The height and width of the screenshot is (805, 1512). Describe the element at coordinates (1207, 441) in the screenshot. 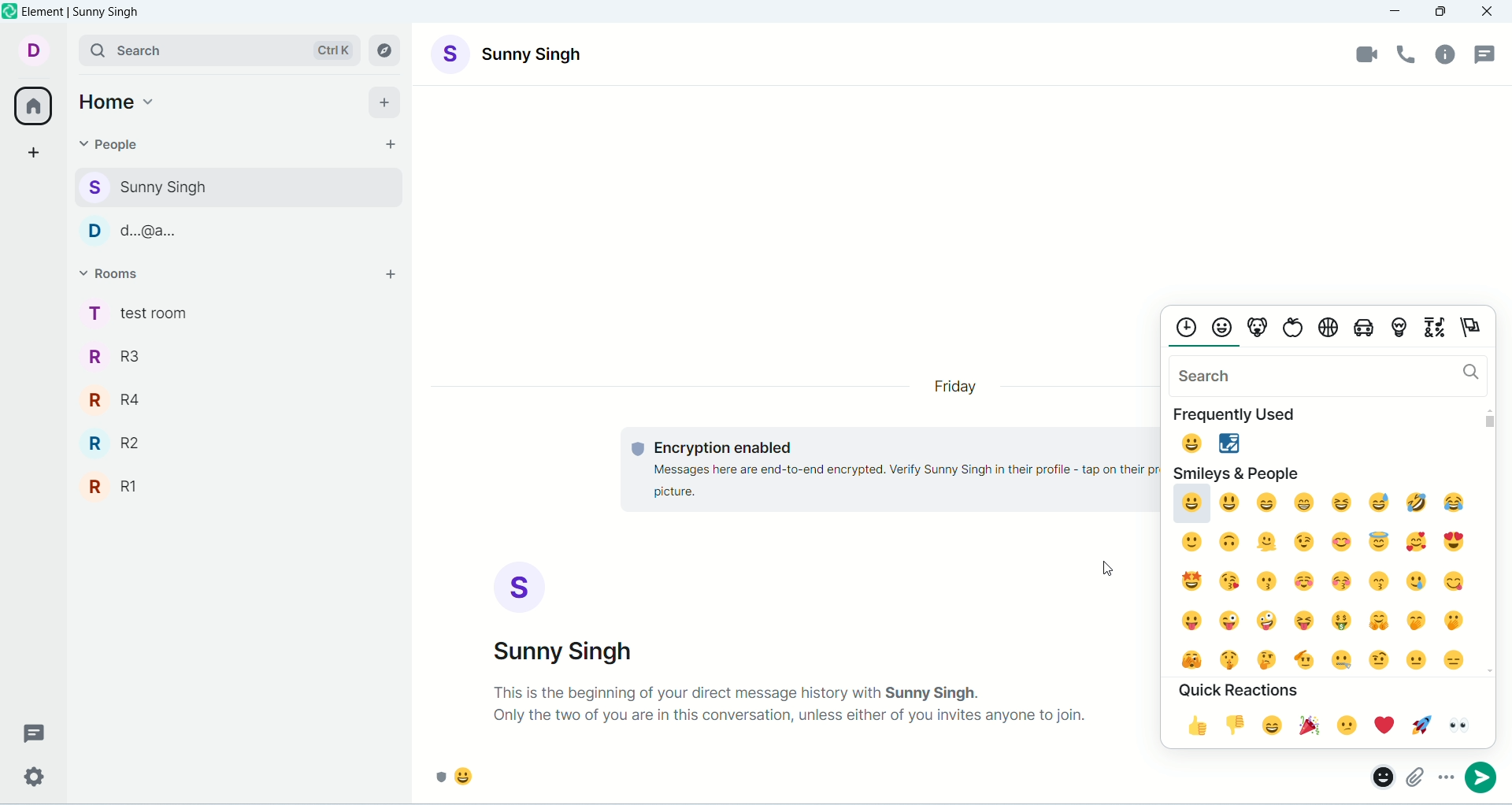

I see `frequently used emojis` at that location.